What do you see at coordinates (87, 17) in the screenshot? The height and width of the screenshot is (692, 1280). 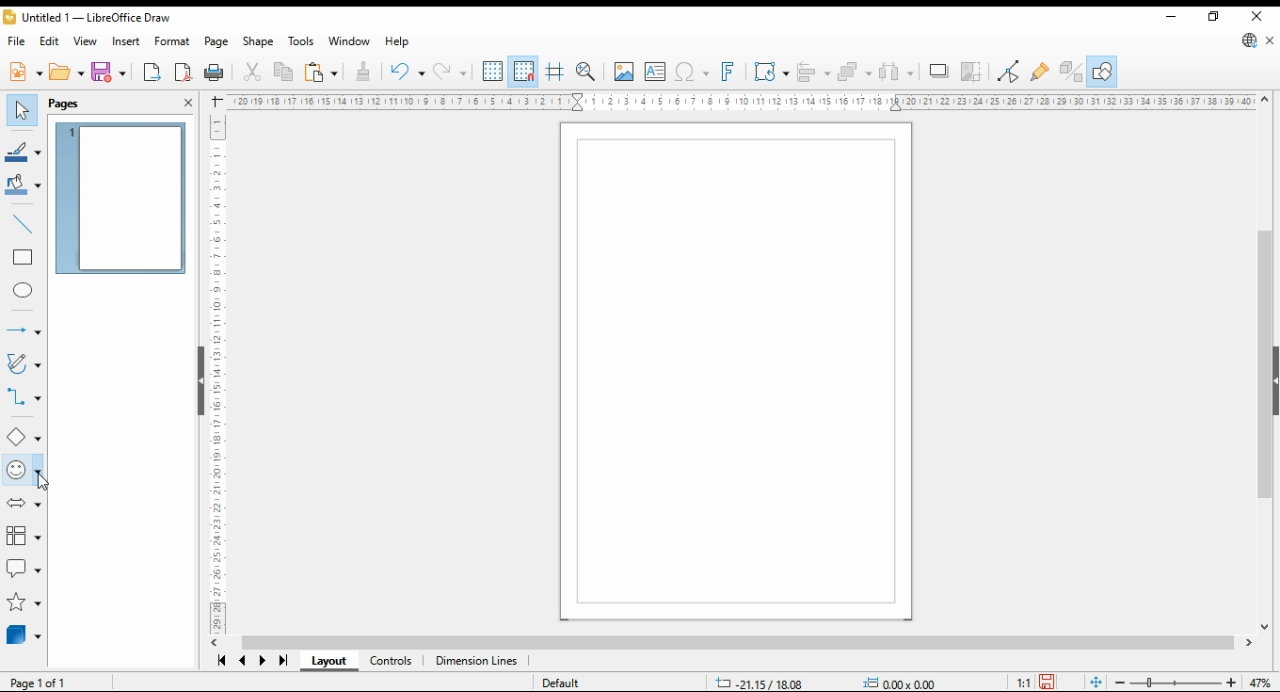 I see `icon and filename` at bounding box center [87, 17].